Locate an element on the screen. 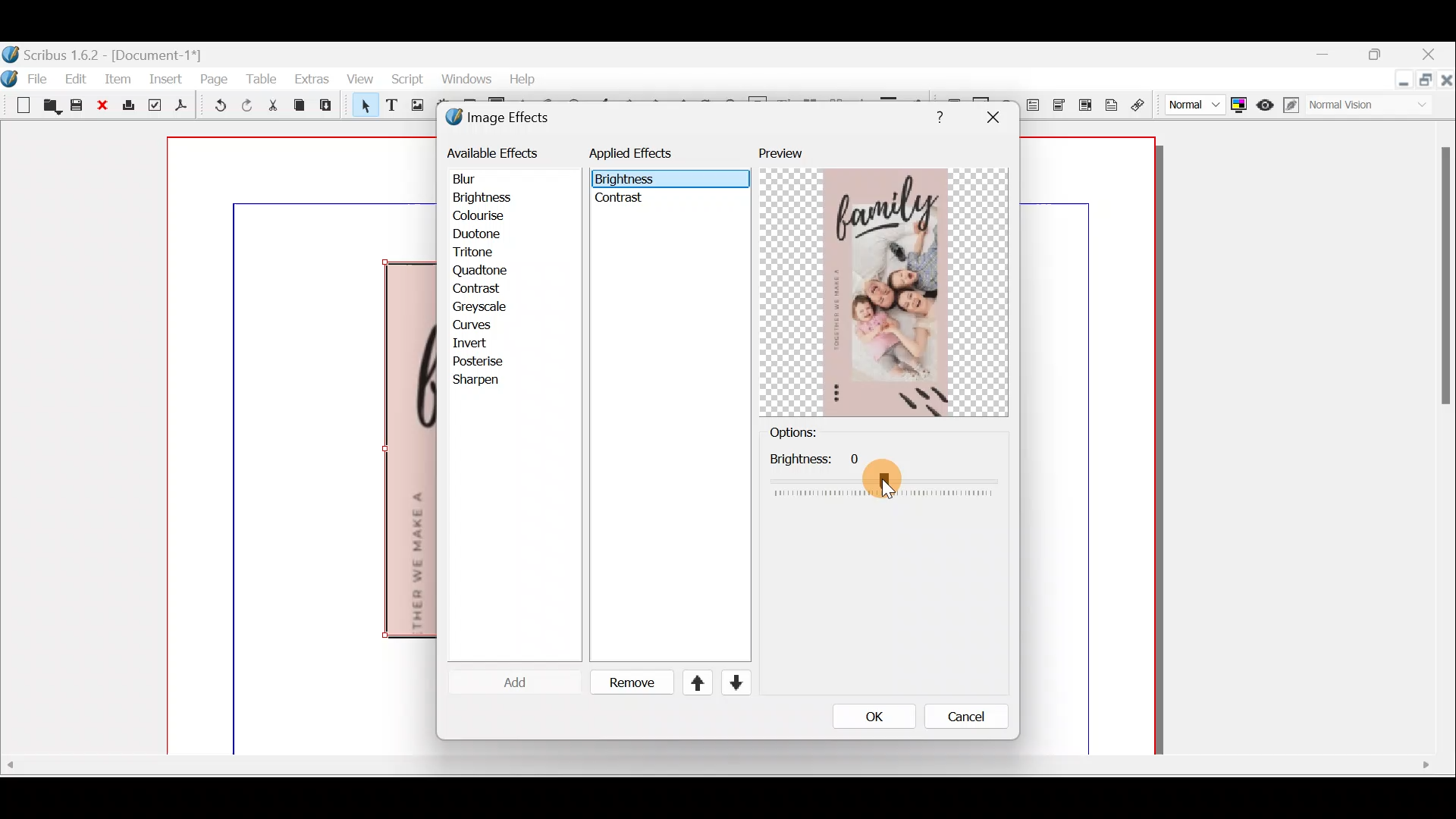  New is located at coordinates (15, 104).